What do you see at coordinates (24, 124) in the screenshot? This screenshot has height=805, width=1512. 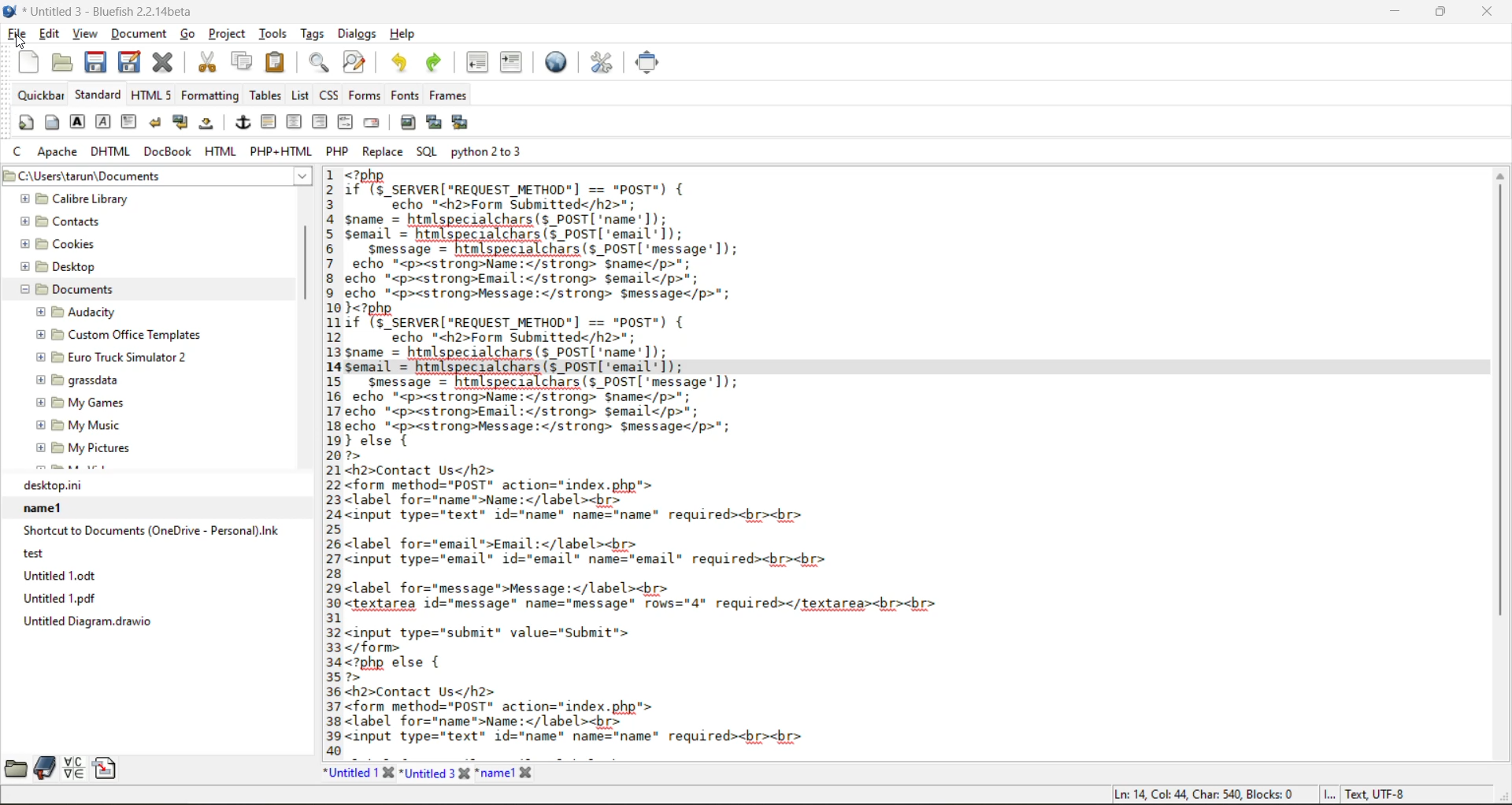 I see `quickstart` at bounding box center [24, 124].